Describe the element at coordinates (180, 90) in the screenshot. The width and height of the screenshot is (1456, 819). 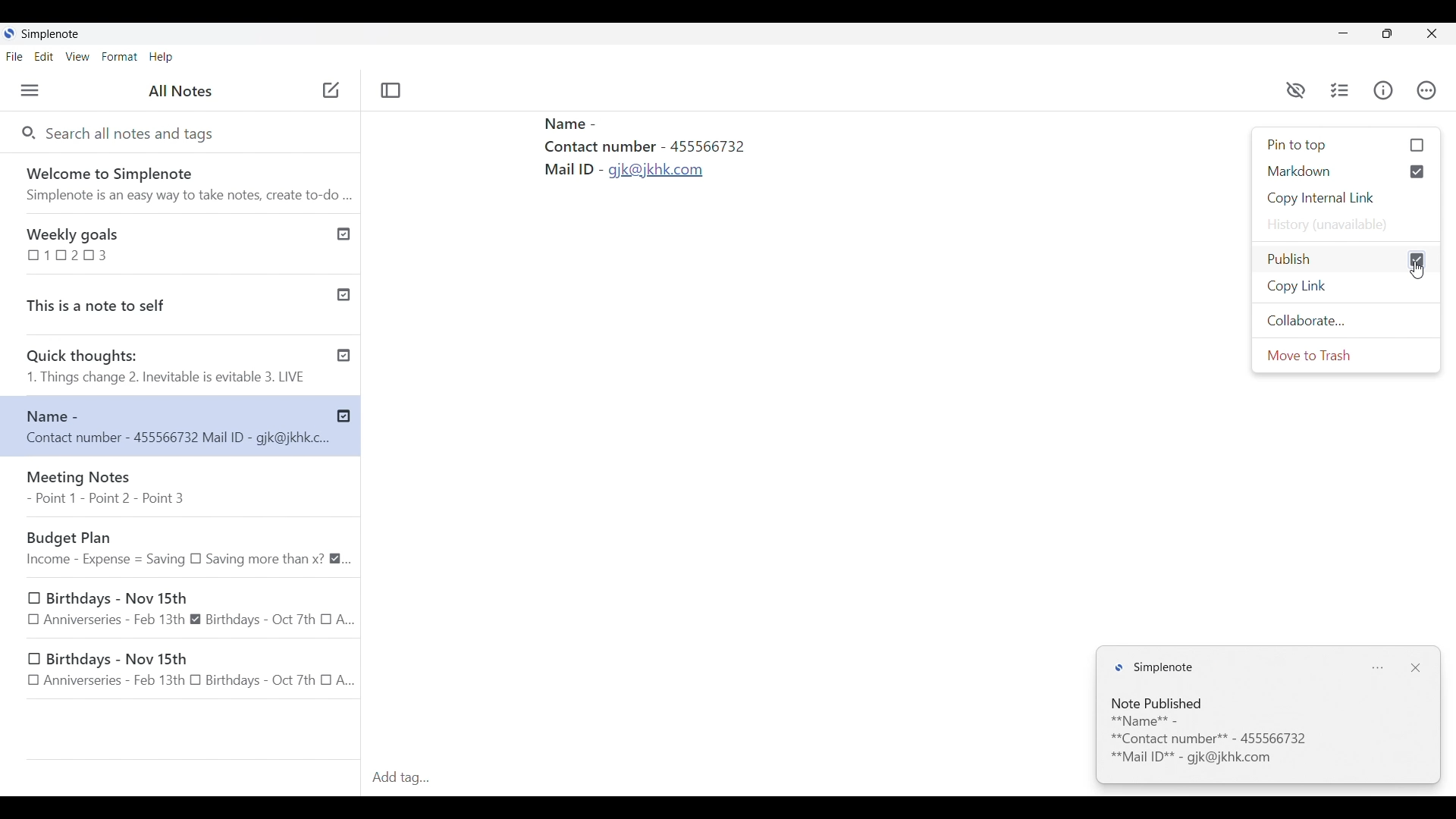
I see `Title of left panel` at that location.